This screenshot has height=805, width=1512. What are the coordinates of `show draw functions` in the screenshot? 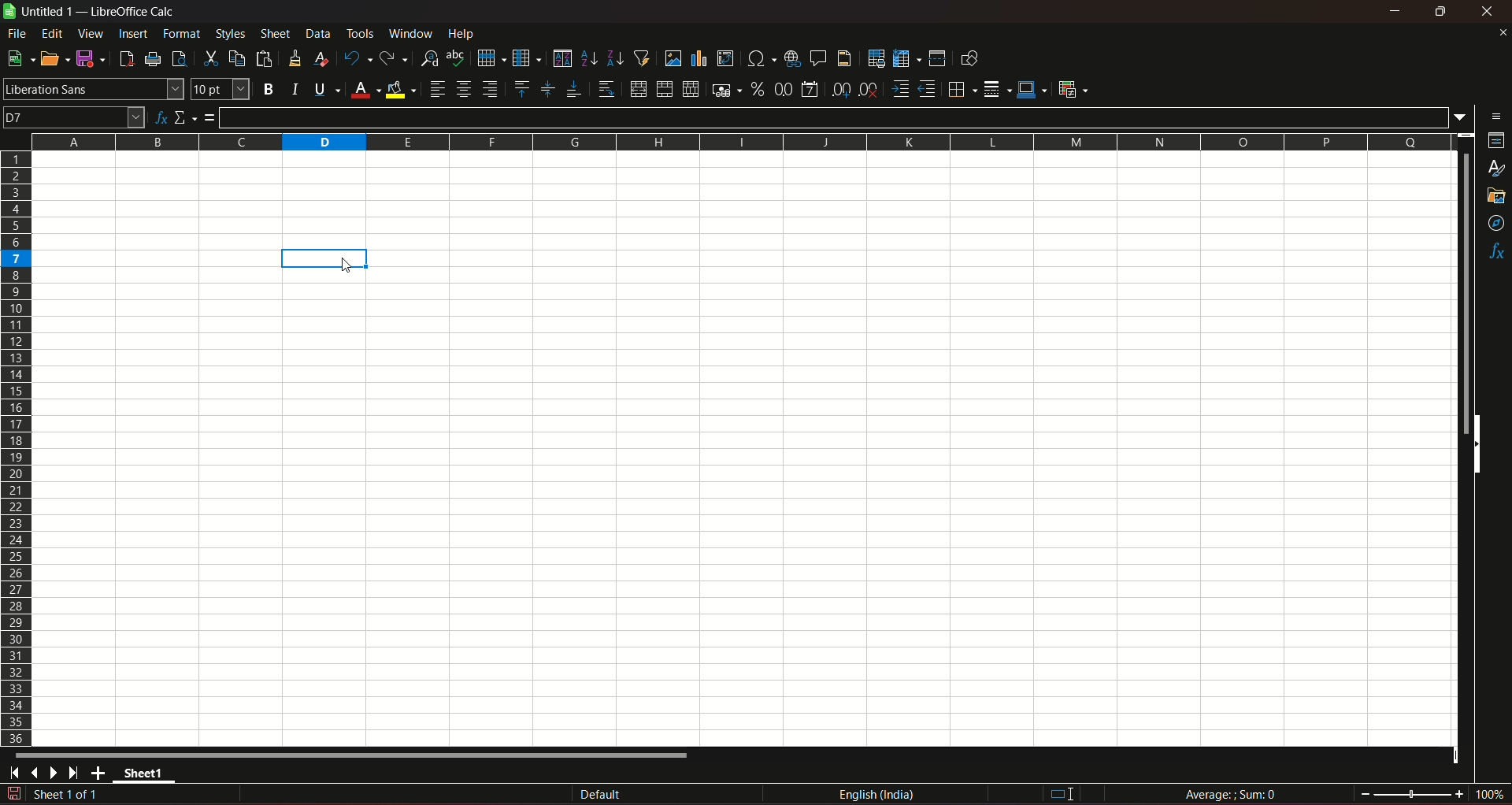 It's located at (969, 57).